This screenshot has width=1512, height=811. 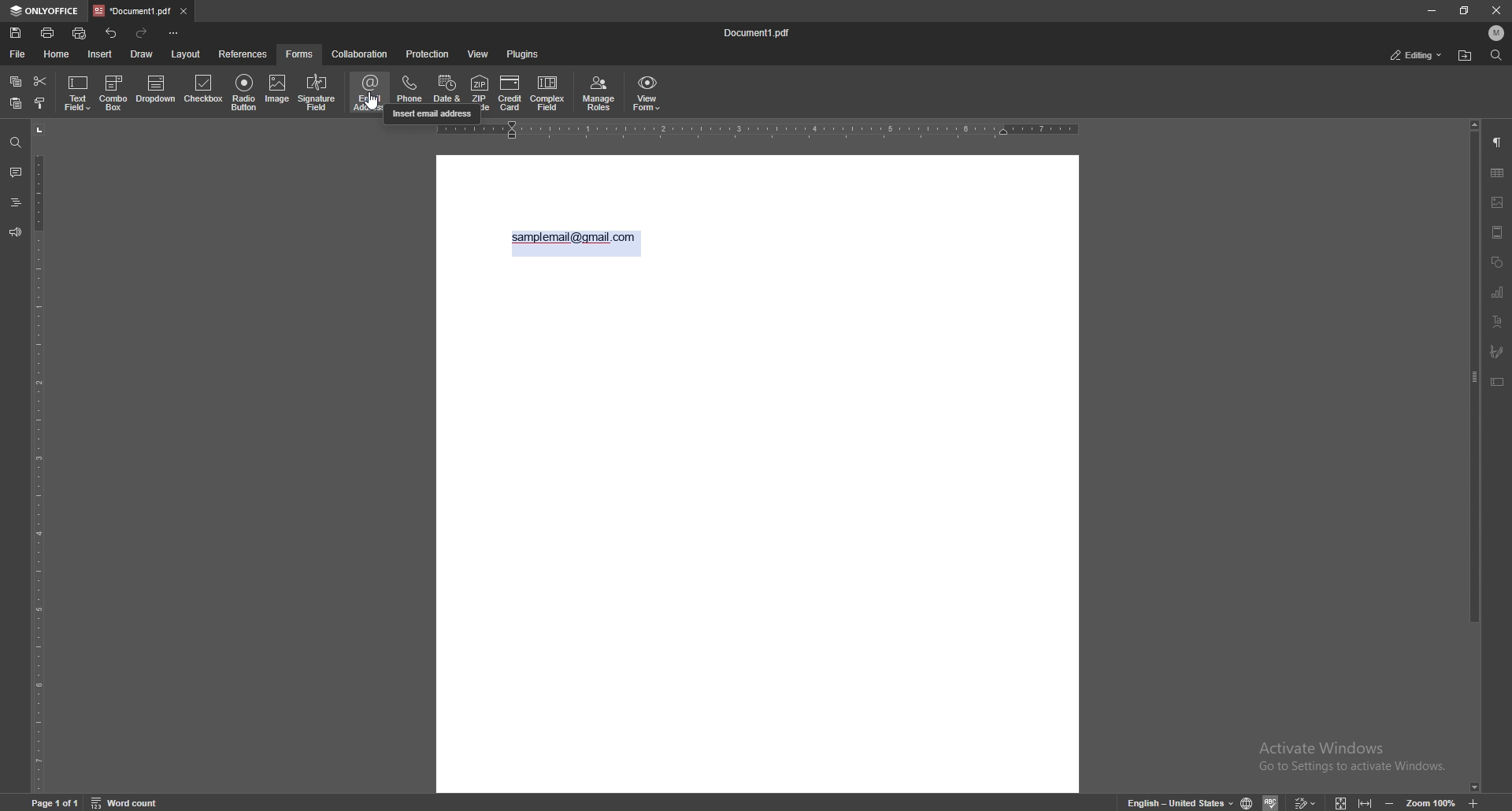 I want to click on save, so click(x=16, y=33).